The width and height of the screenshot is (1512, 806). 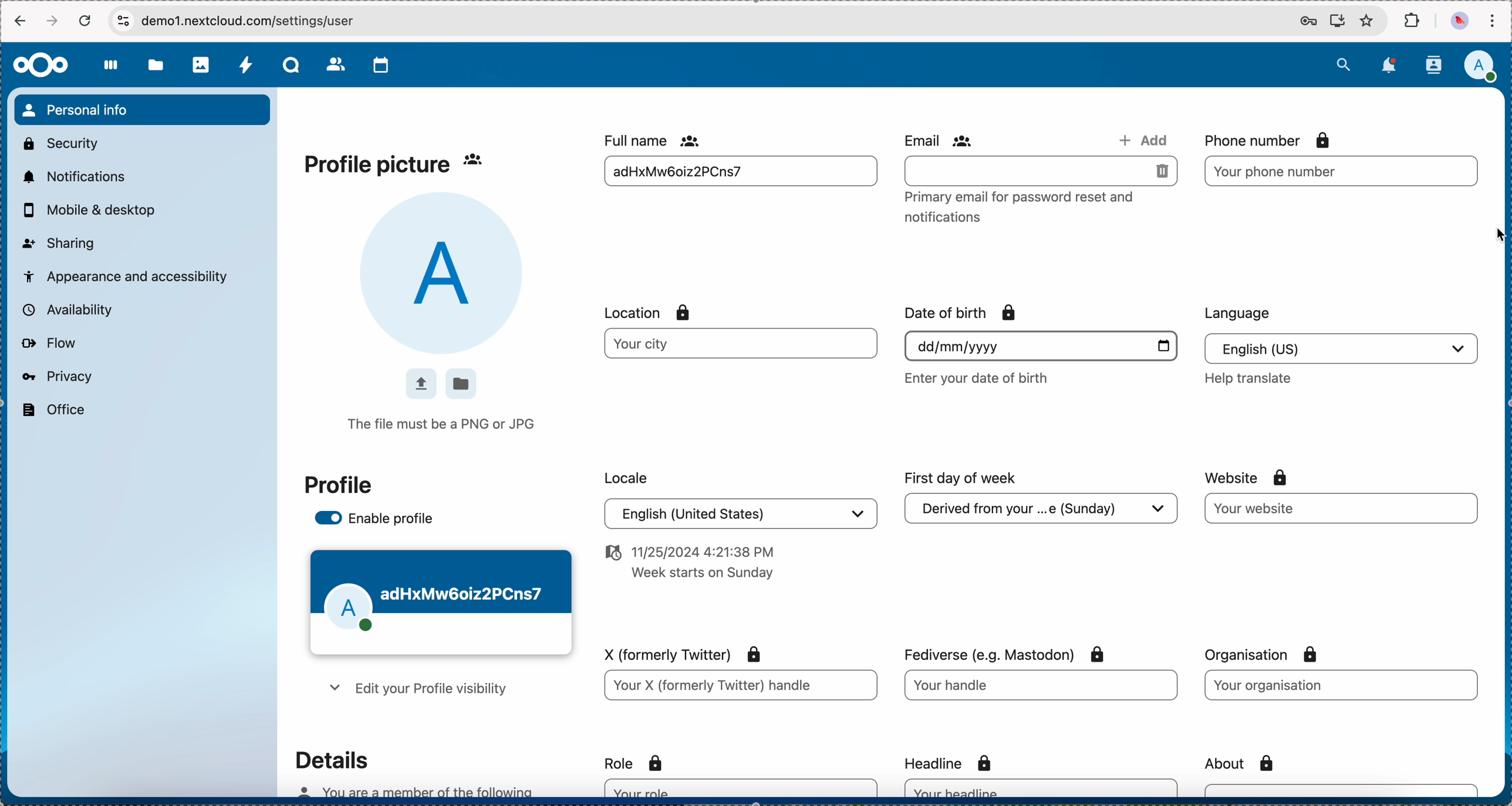 What do you see at coordinates (339, 485) in the screenshot?
I see `profile` at bounding box center [339, 485].